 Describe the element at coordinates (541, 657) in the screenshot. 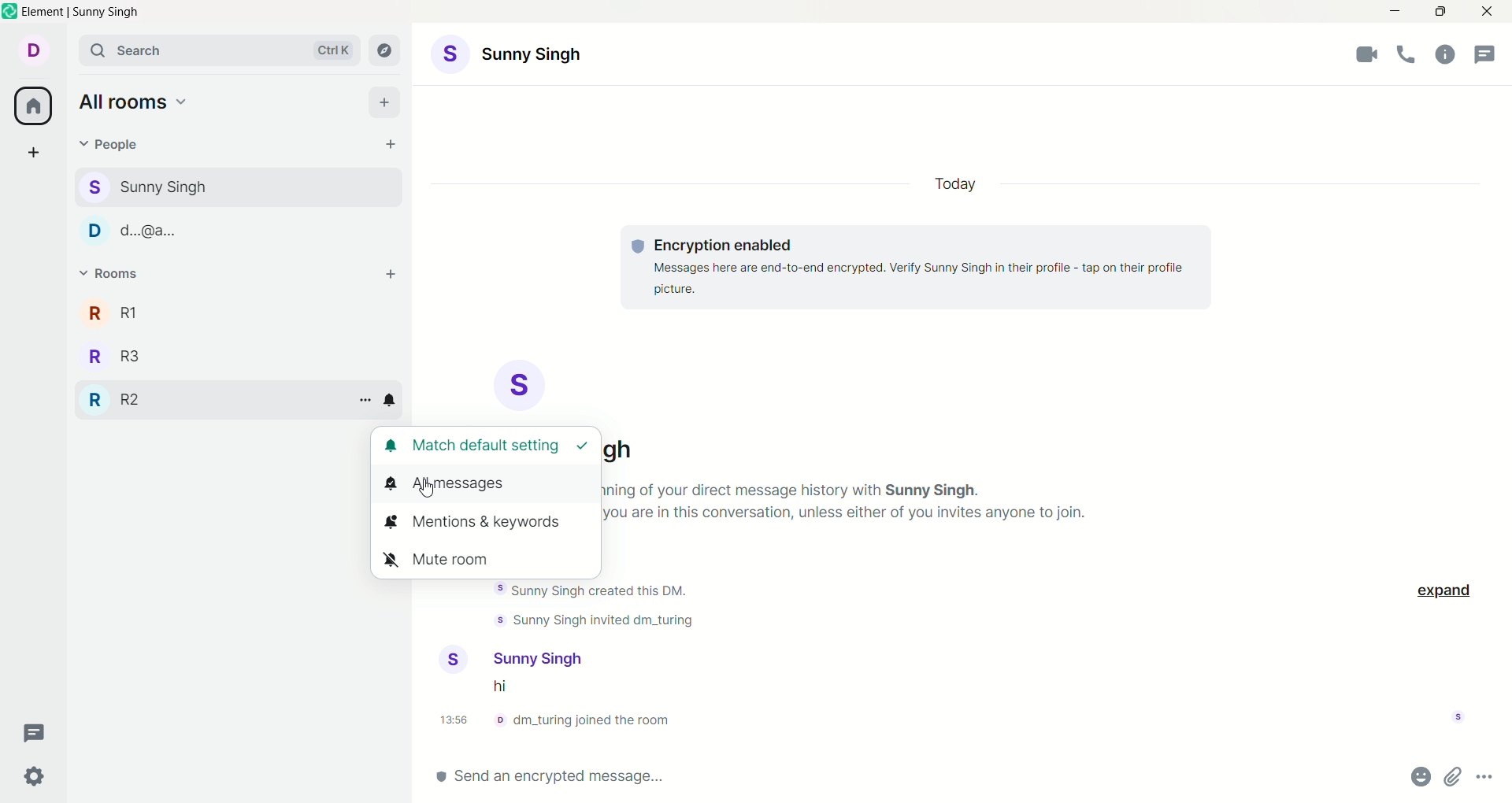

I see `user name` at that location.